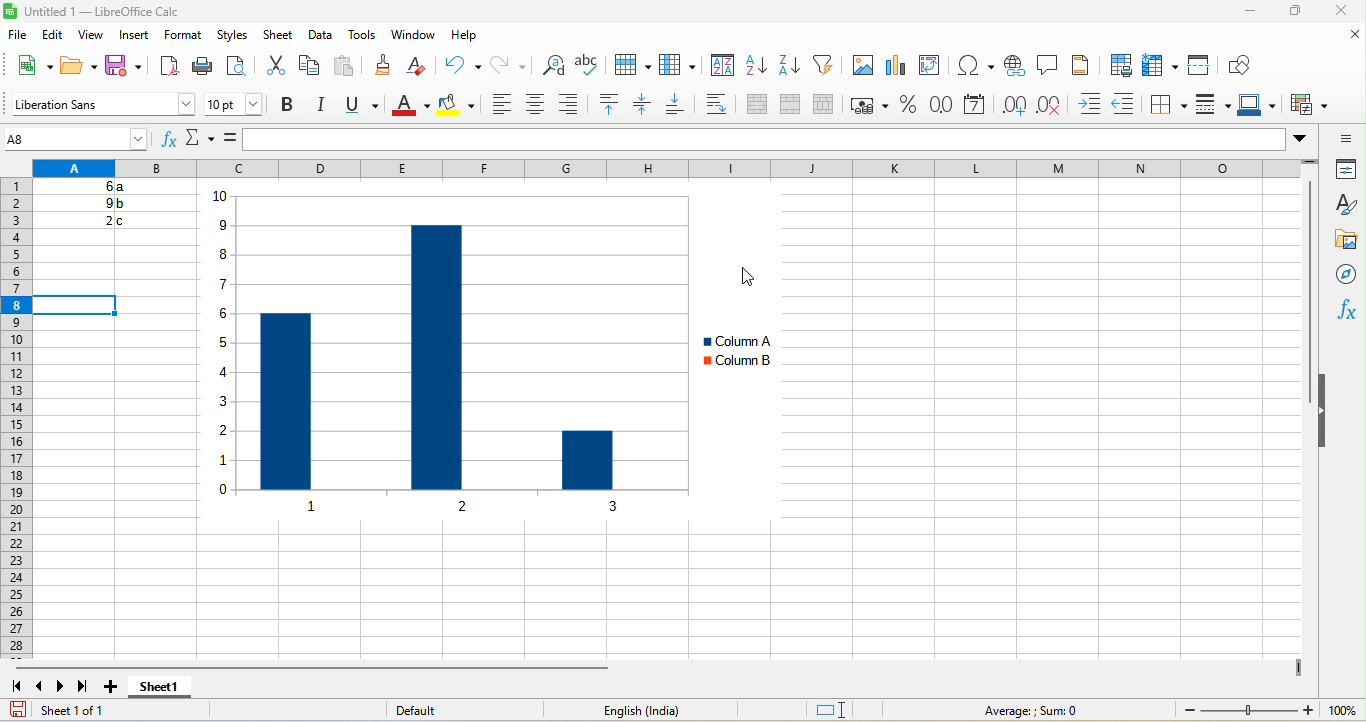  What do you see at coordinates (759, 107) in the screenshot?
I see `merge and center` at bounding box center [759, 107].